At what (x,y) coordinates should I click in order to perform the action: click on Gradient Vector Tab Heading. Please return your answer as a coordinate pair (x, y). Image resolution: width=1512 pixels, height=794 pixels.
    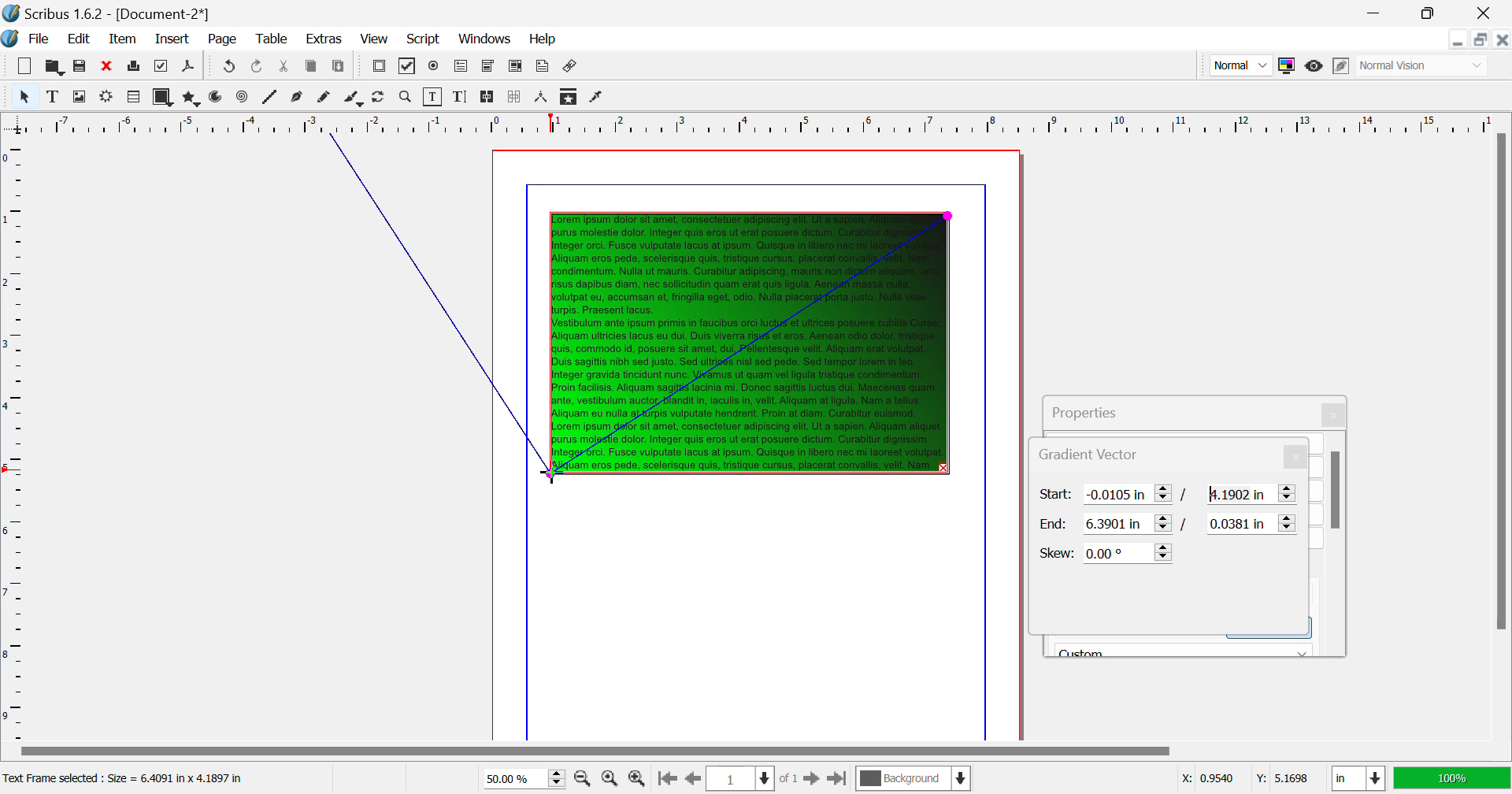
    Looking at the image, I should click on (1043, 455).